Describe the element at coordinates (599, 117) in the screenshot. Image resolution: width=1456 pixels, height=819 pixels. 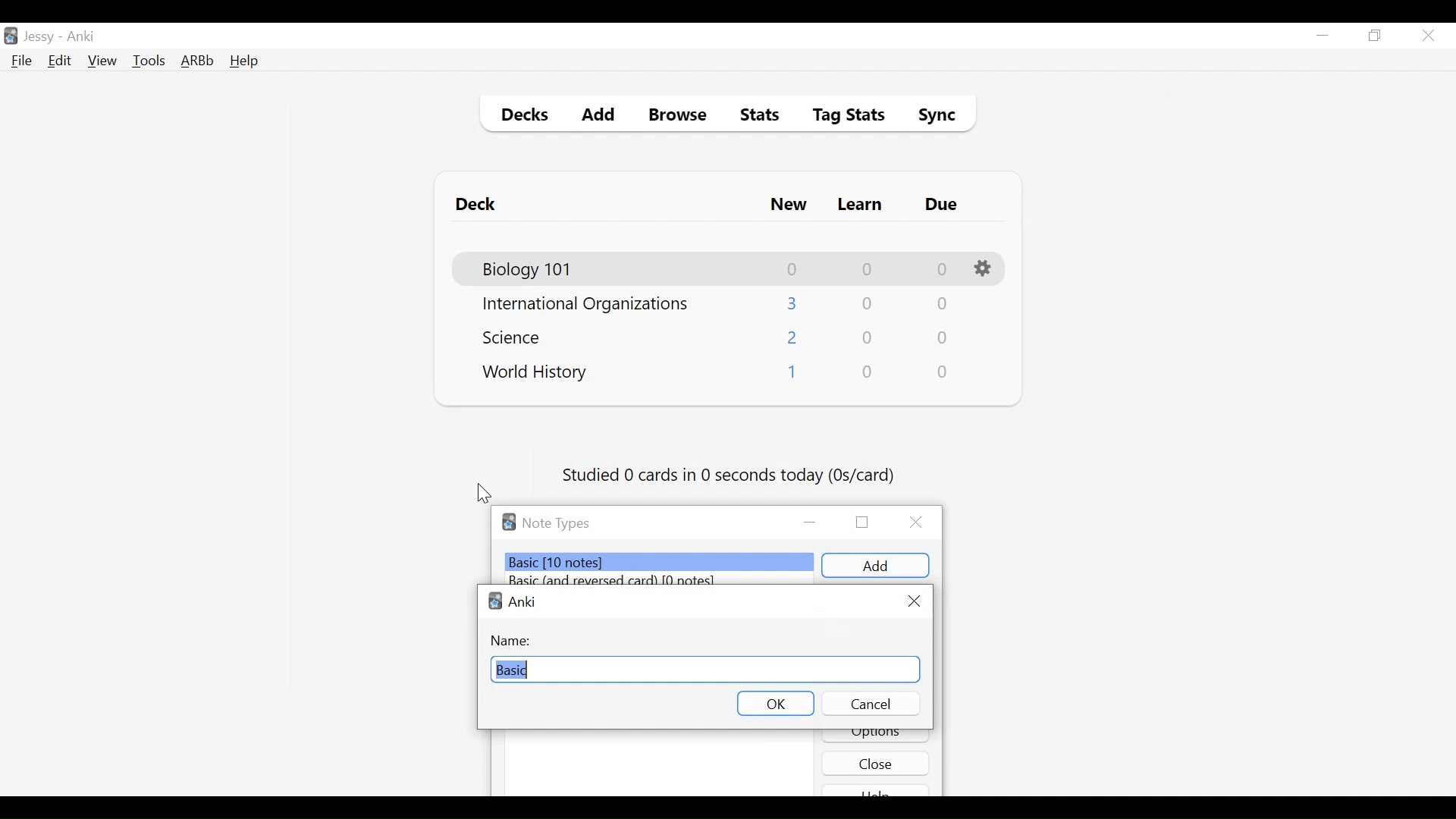
I see `Add` at that location.